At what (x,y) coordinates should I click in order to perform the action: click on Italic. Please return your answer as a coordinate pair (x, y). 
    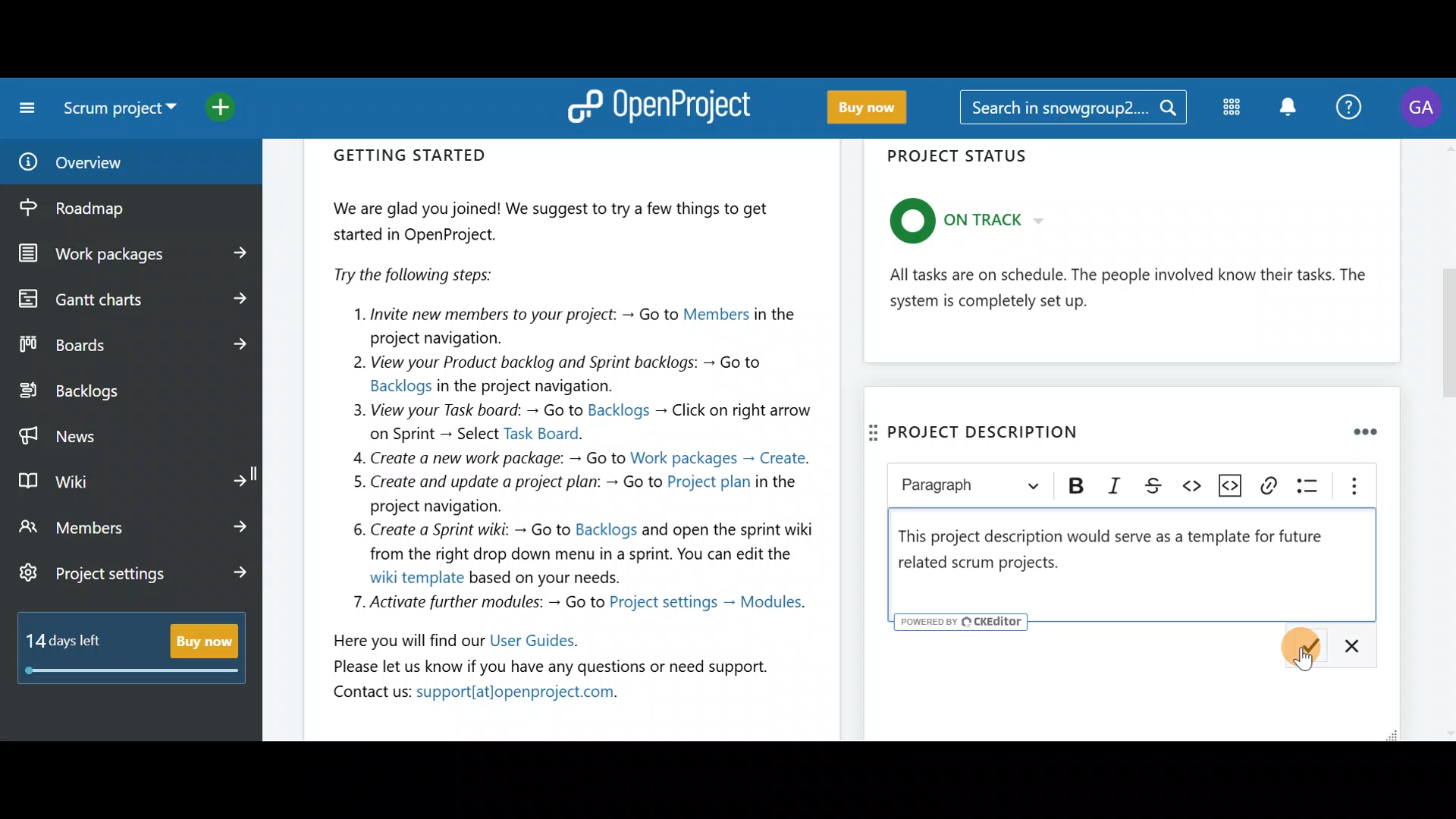
    Looking at the image, I should click on (1116, 484).